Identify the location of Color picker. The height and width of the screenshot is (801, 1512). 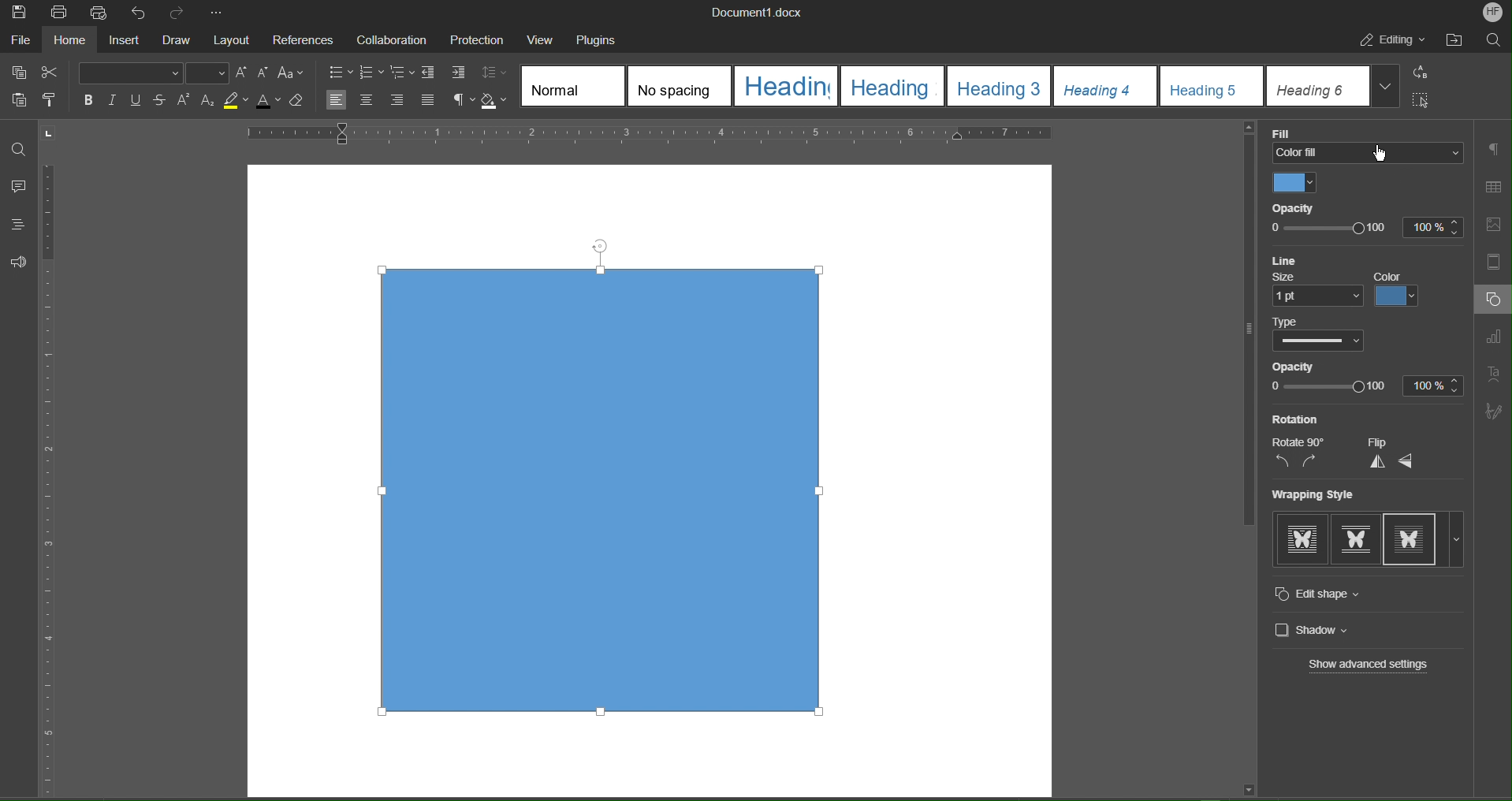
(1305, 320).